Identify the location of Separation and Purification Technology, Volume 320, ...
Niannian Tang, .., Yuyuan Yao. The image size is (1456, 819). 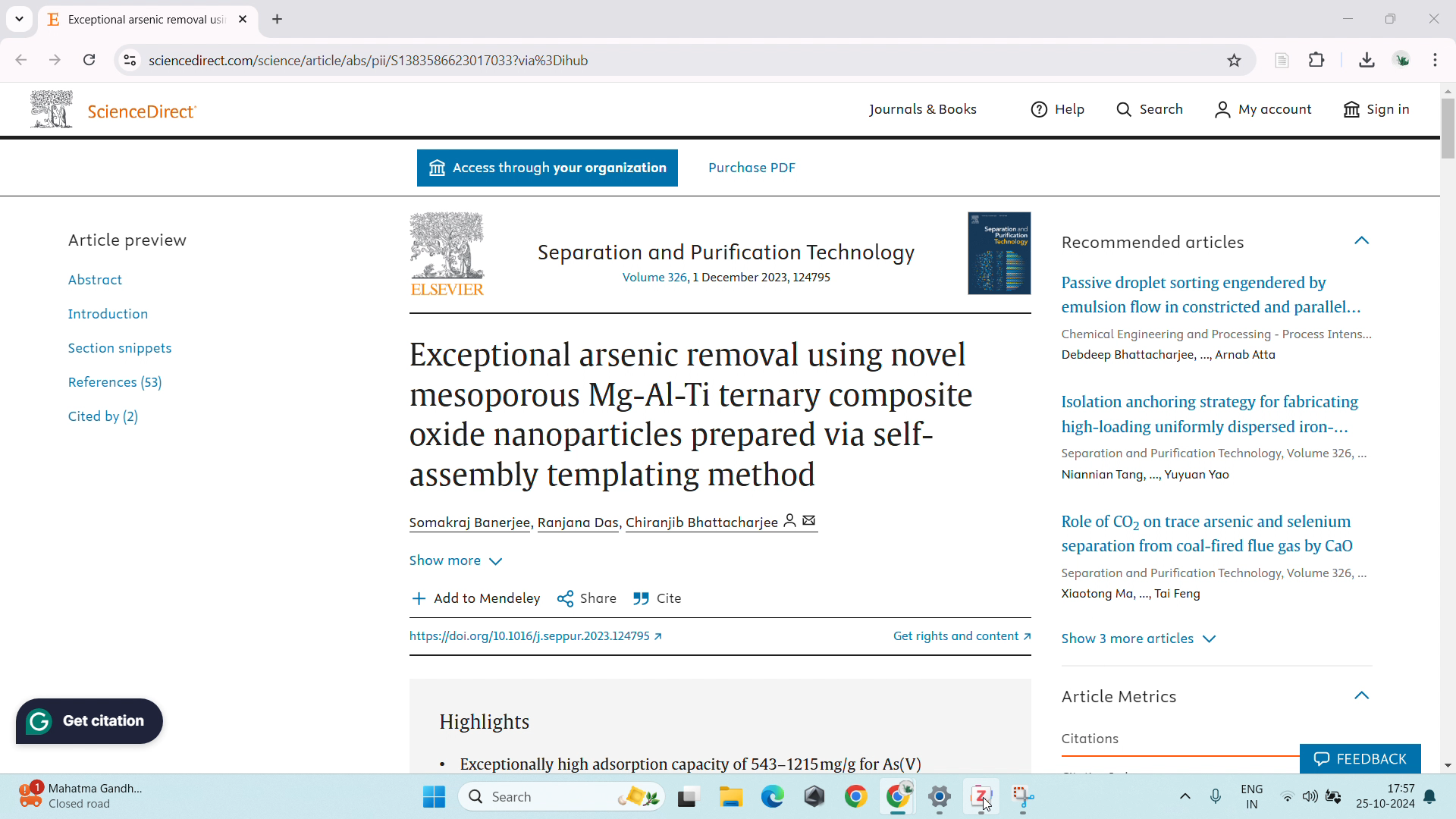
(1214, 466).